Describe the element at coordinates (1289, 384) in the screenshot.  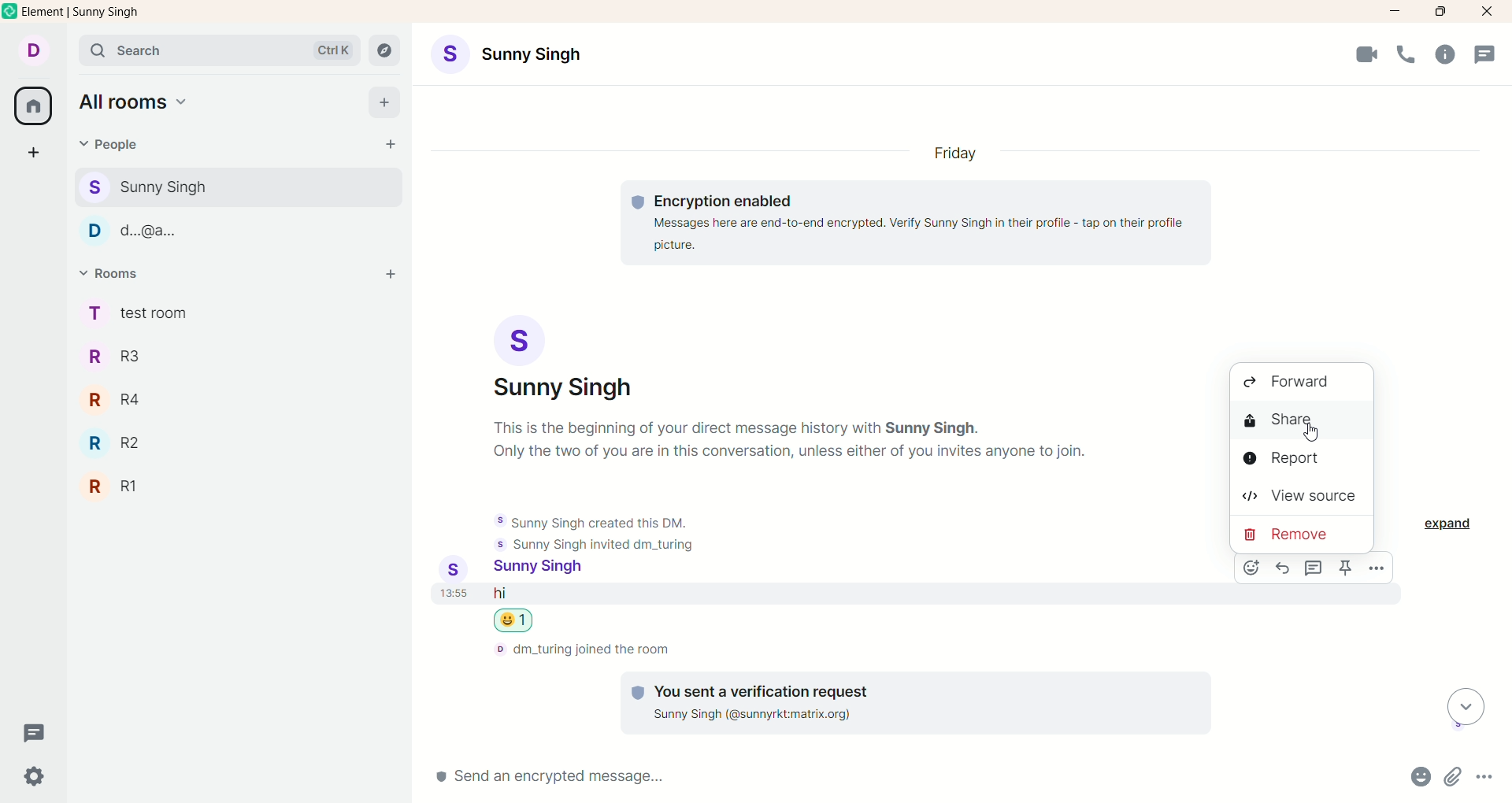
I see `forward` at that location.